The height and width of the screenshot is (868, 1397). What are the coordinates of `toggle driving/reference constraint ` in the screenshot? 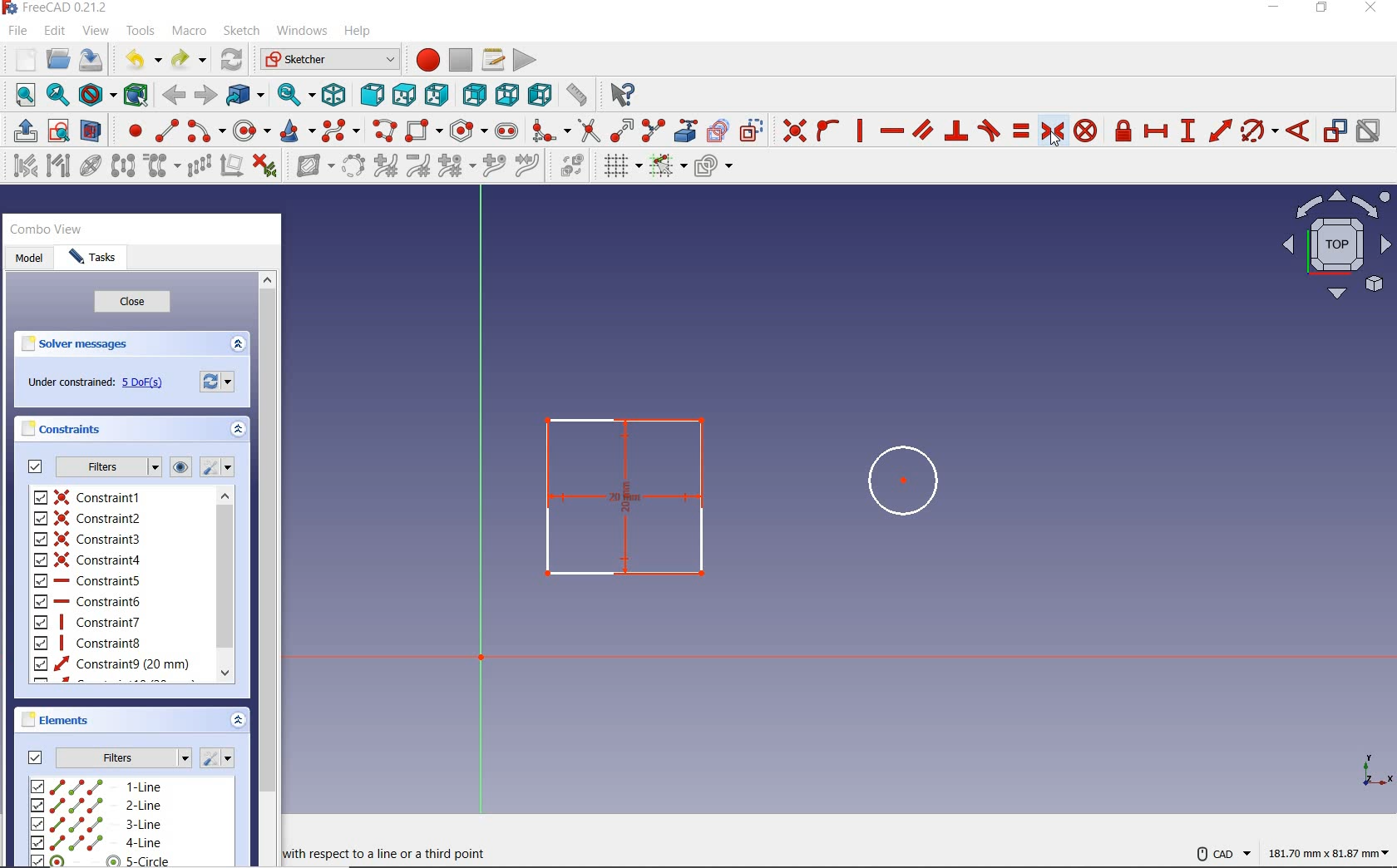 It's located at (1335, 131).